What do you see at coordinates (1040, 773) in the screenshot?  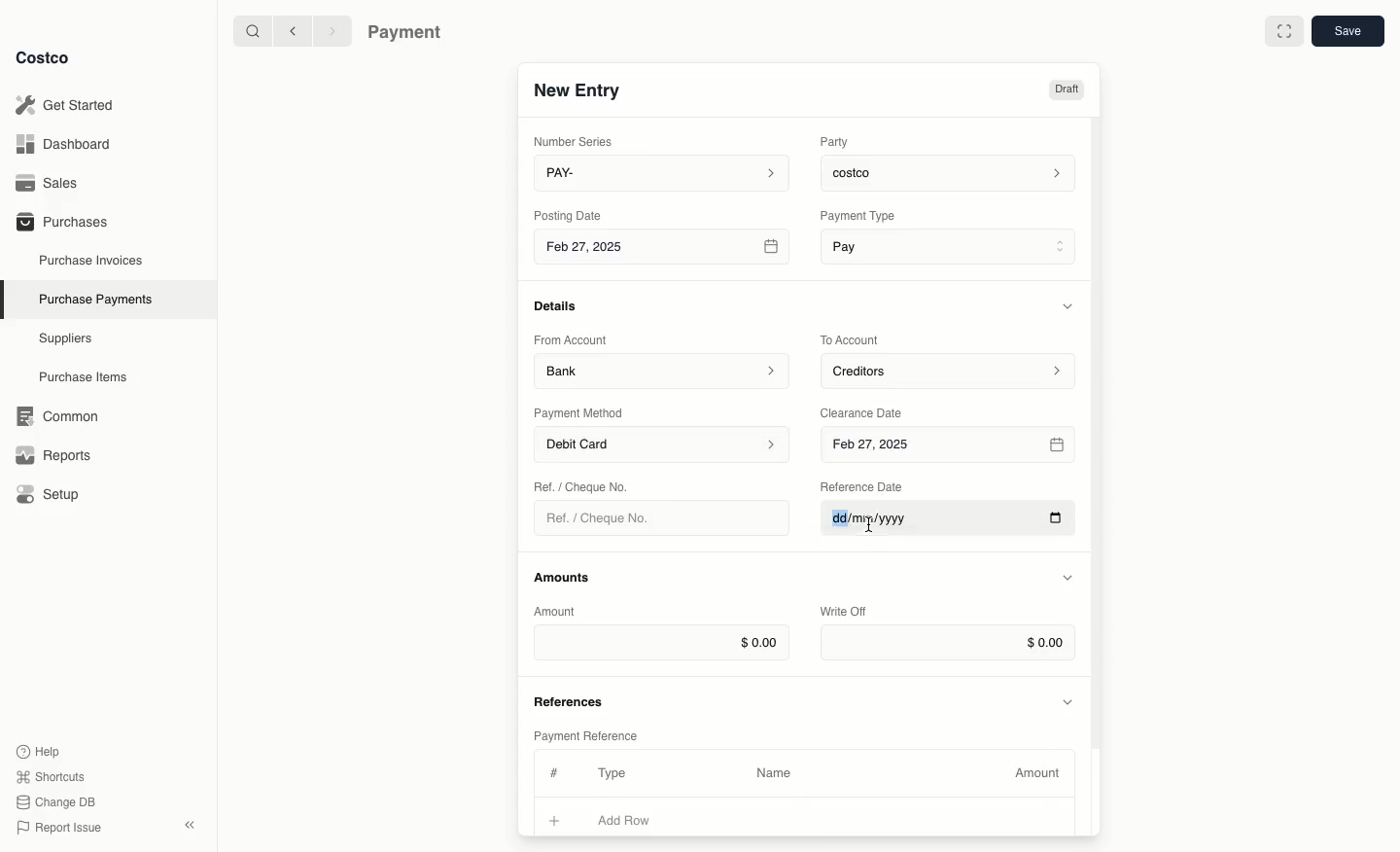 I see `Amount` at bounding box center [1040, 773].